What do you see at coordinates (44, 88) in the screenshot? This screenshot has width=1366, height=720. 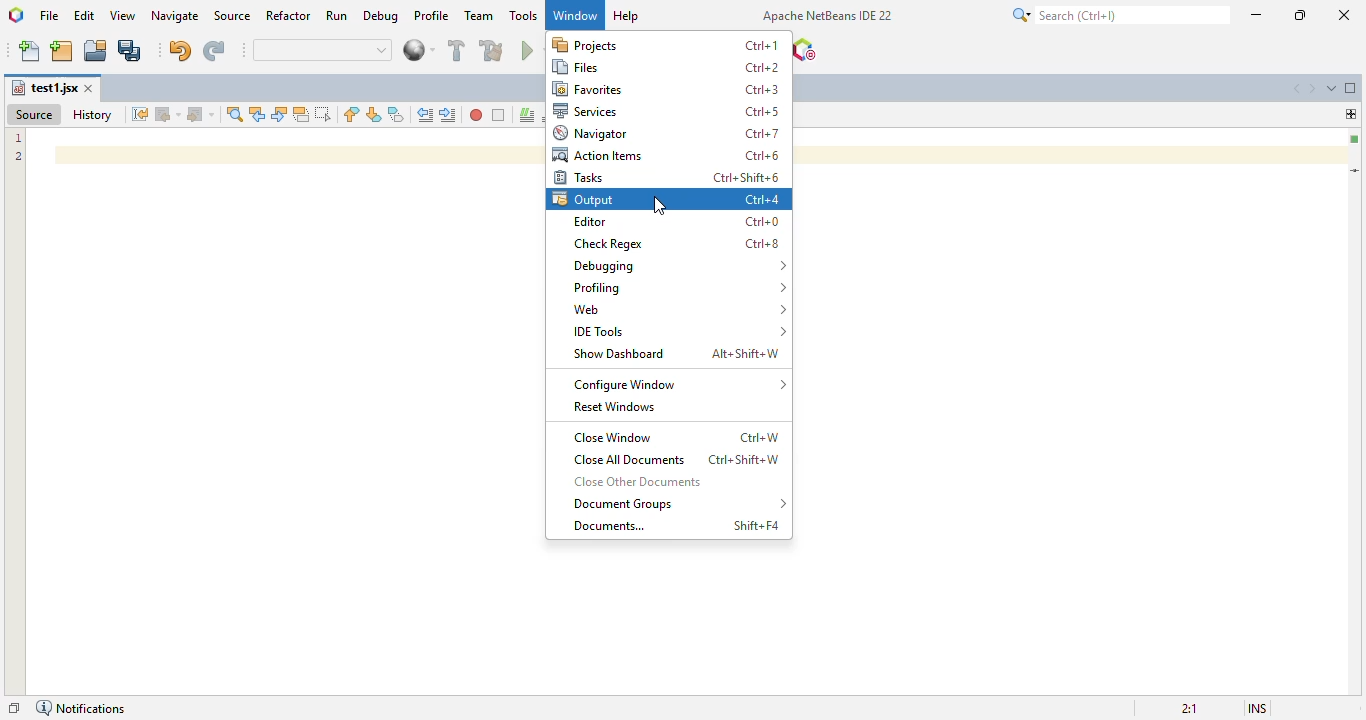 I see `file name` at bounding box center [44, 88].